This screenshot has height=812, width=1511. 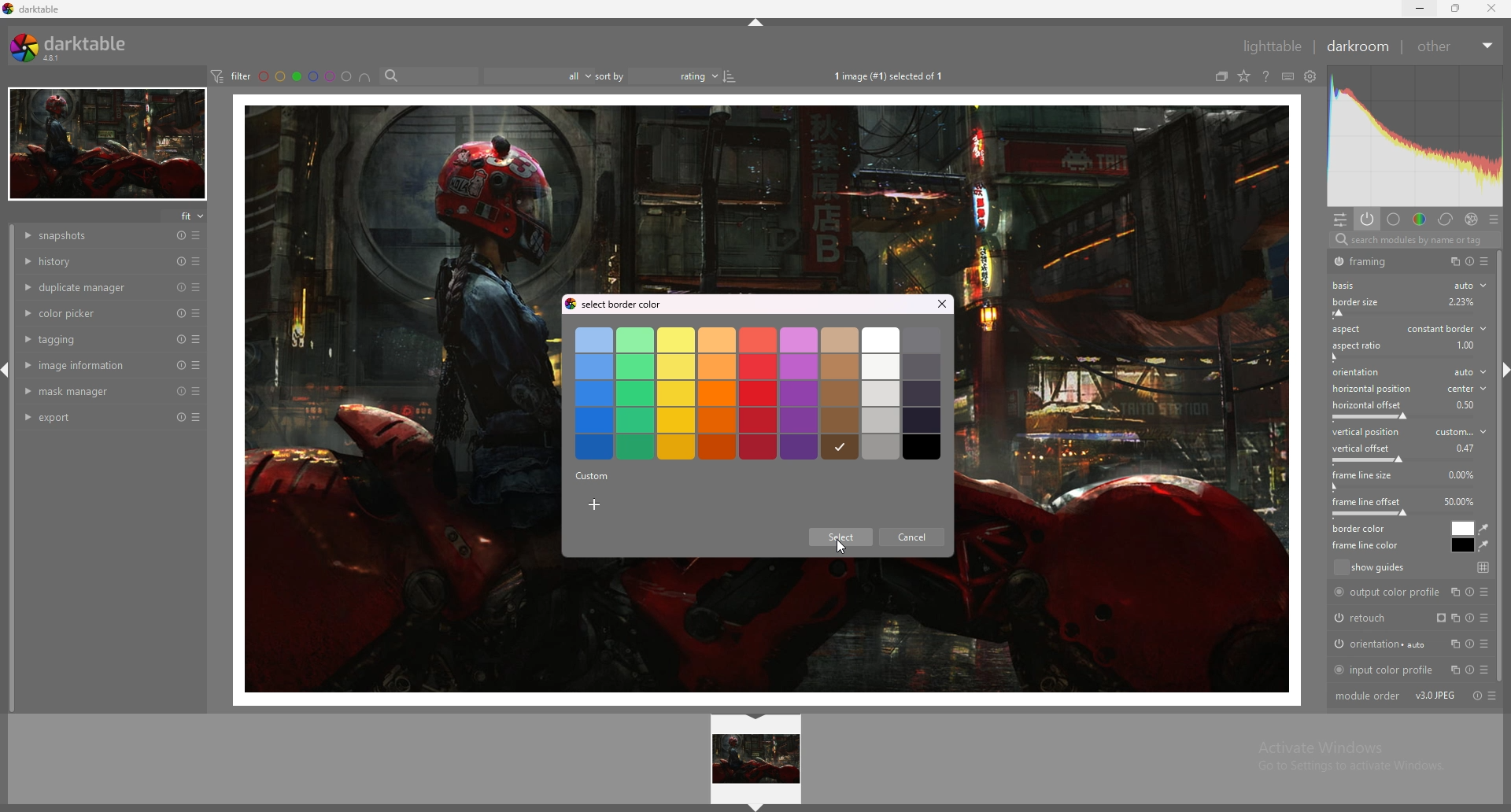 I want to click on reset, so click(x=182, y=366).